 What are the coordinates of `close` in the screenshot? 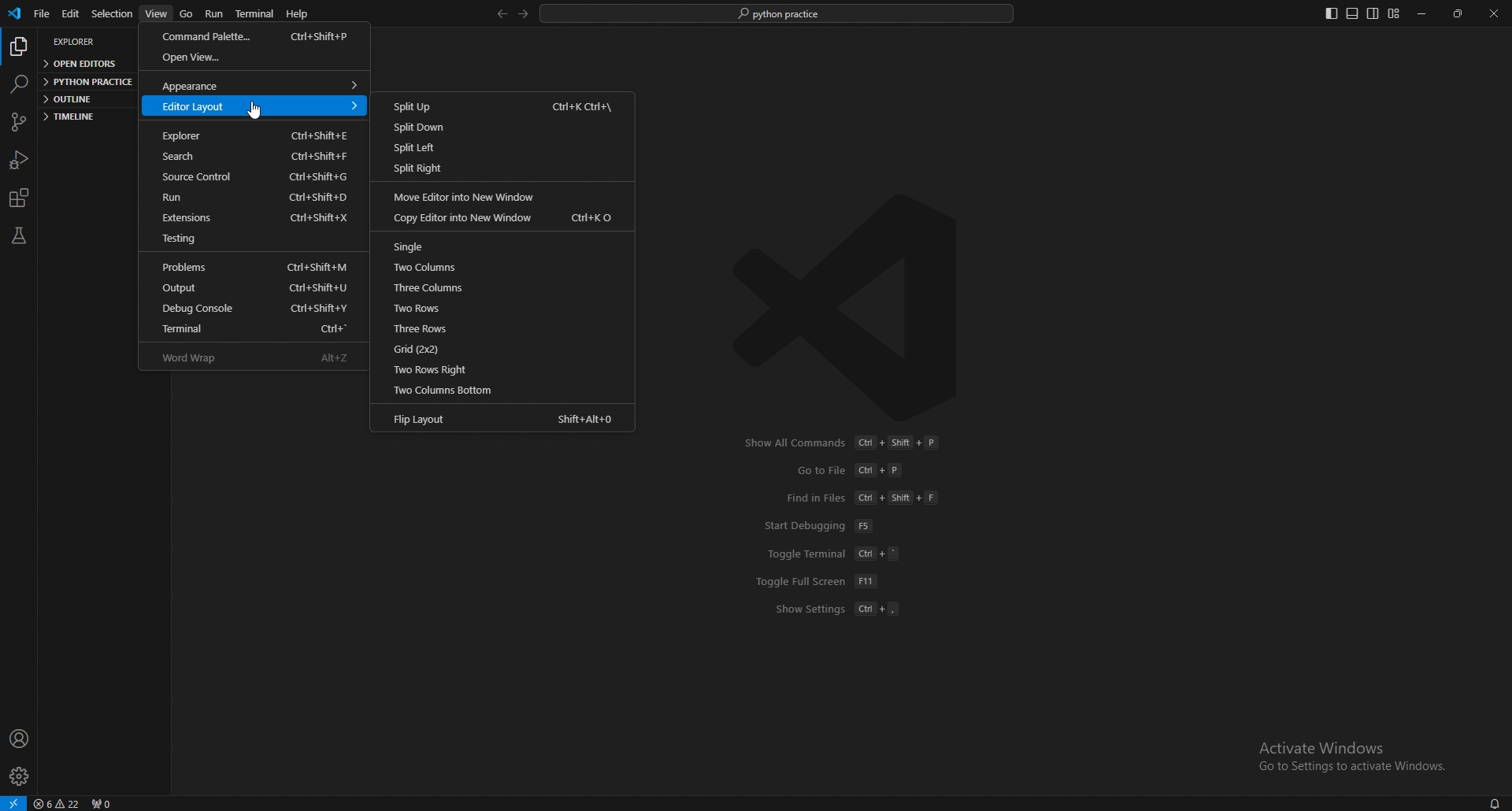 It's located at (1492, 13).